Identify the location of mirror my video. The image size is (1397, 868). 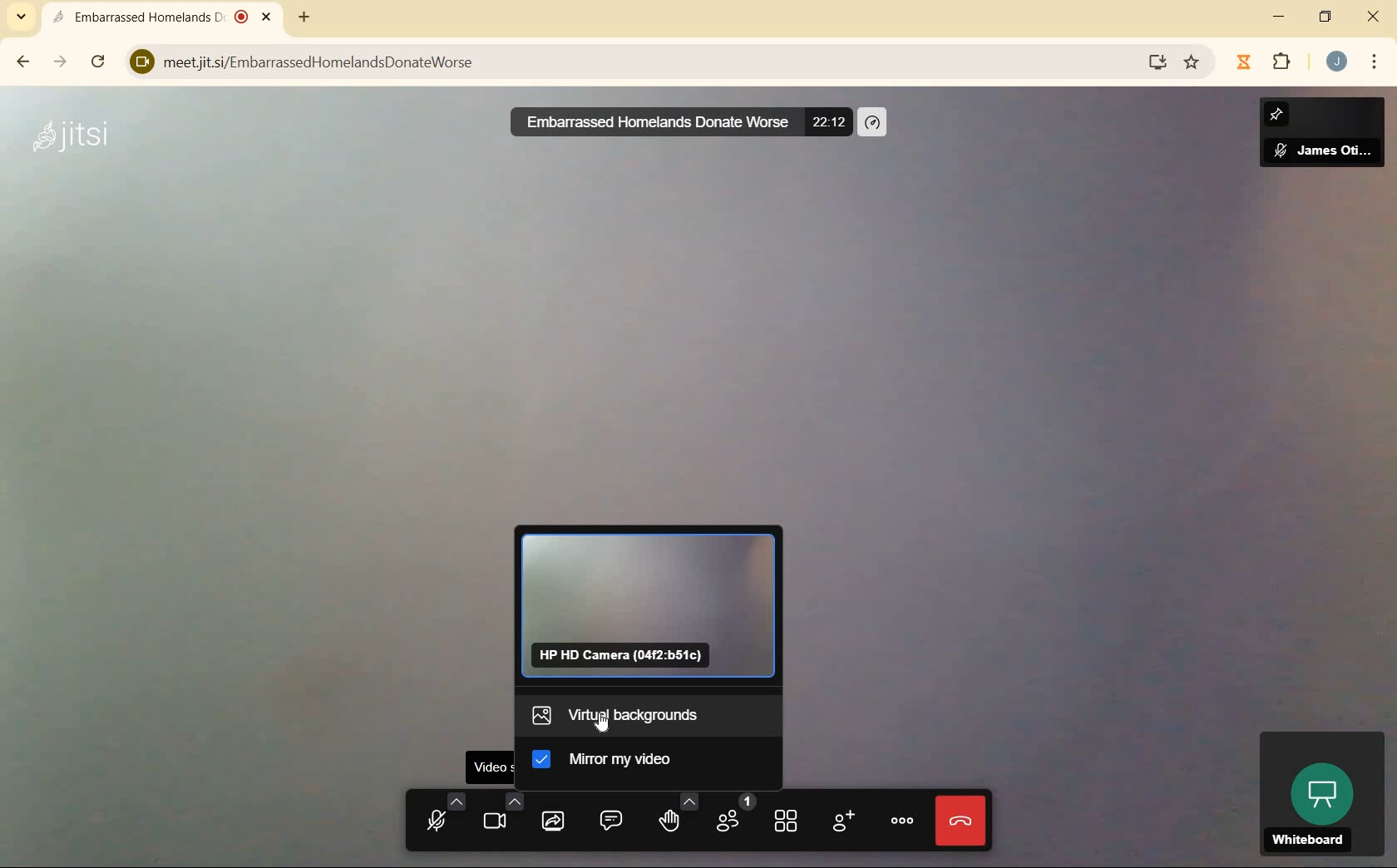
(632, 758).